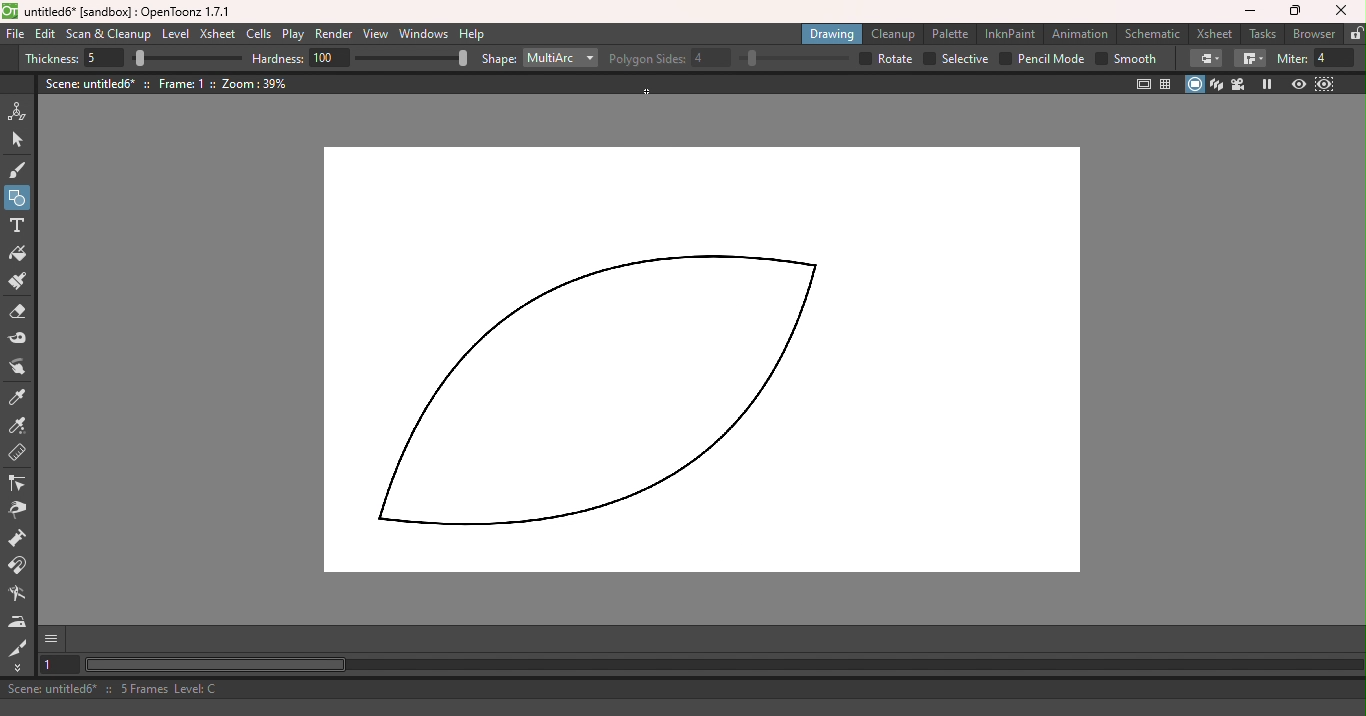 This screenshot has width=1366, height=716. I want to click on Cap, so click(1205, 59).